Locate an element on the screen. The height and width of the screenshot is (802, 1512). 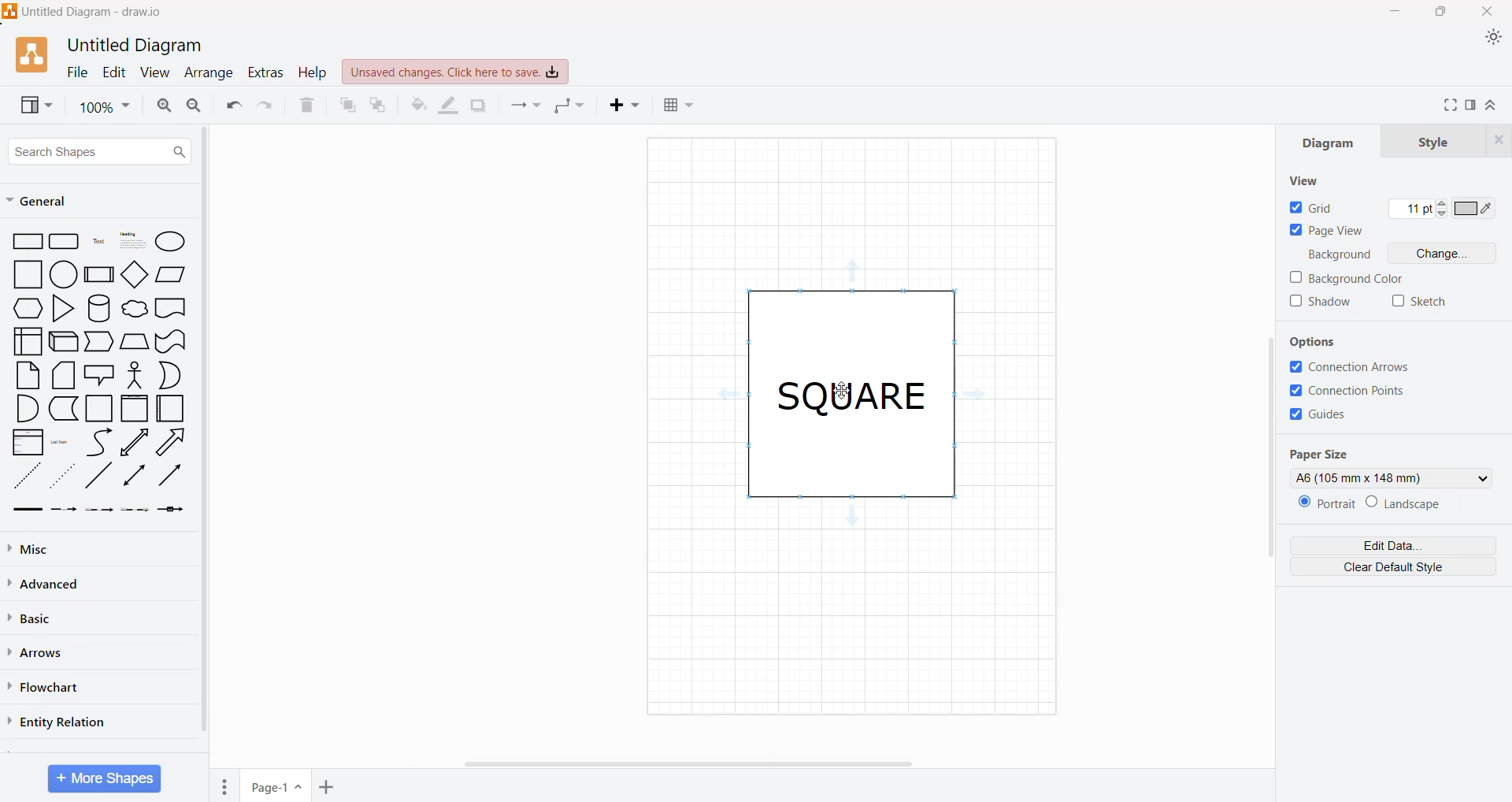
Change is located at coordinates (1447, 252).